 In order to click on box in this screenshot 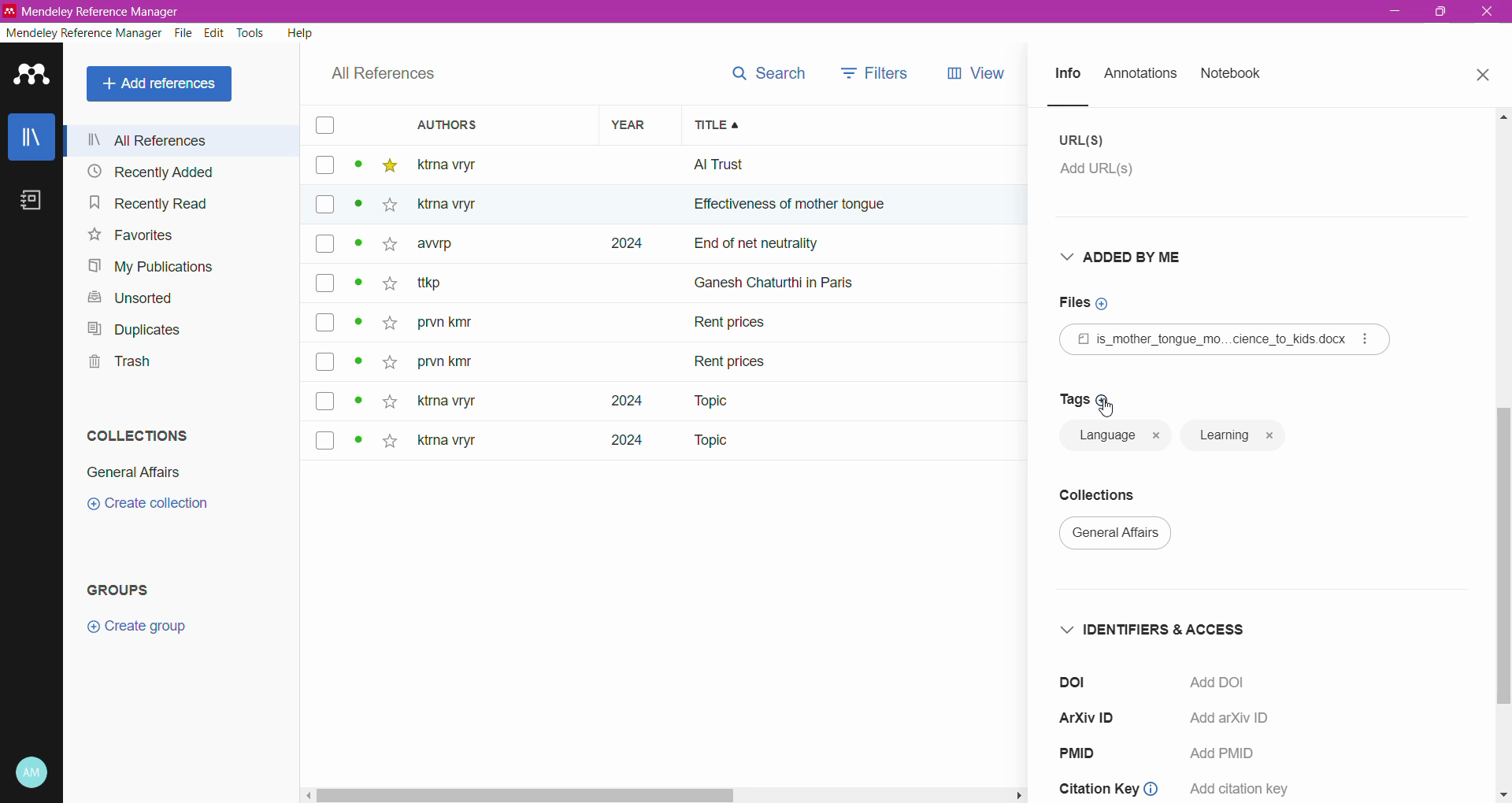, I will do `click(323, 126)`.